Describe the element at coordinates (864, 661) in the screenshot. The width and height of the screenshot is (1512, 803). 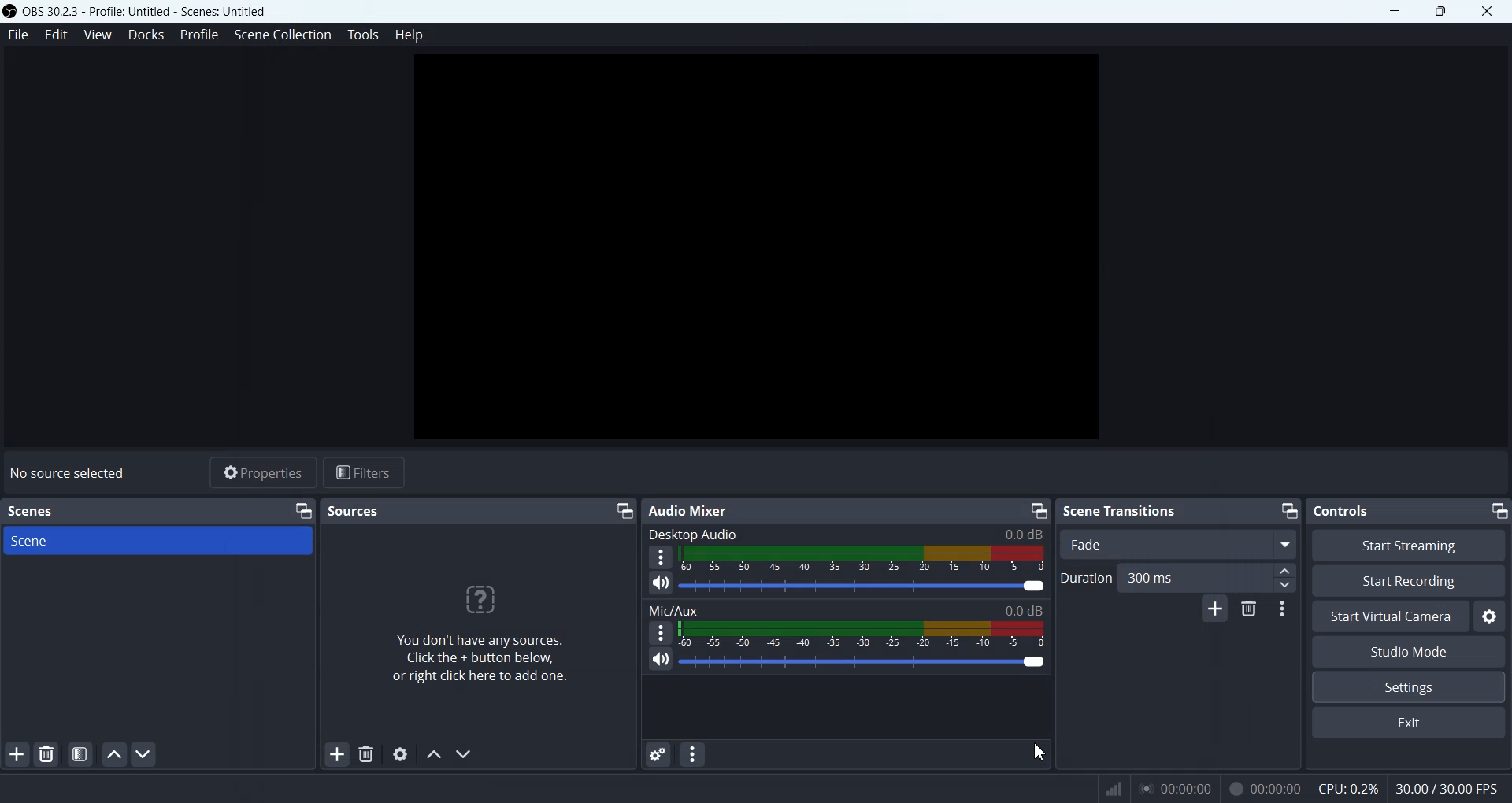
I see `Volume Adjuster` at that location.